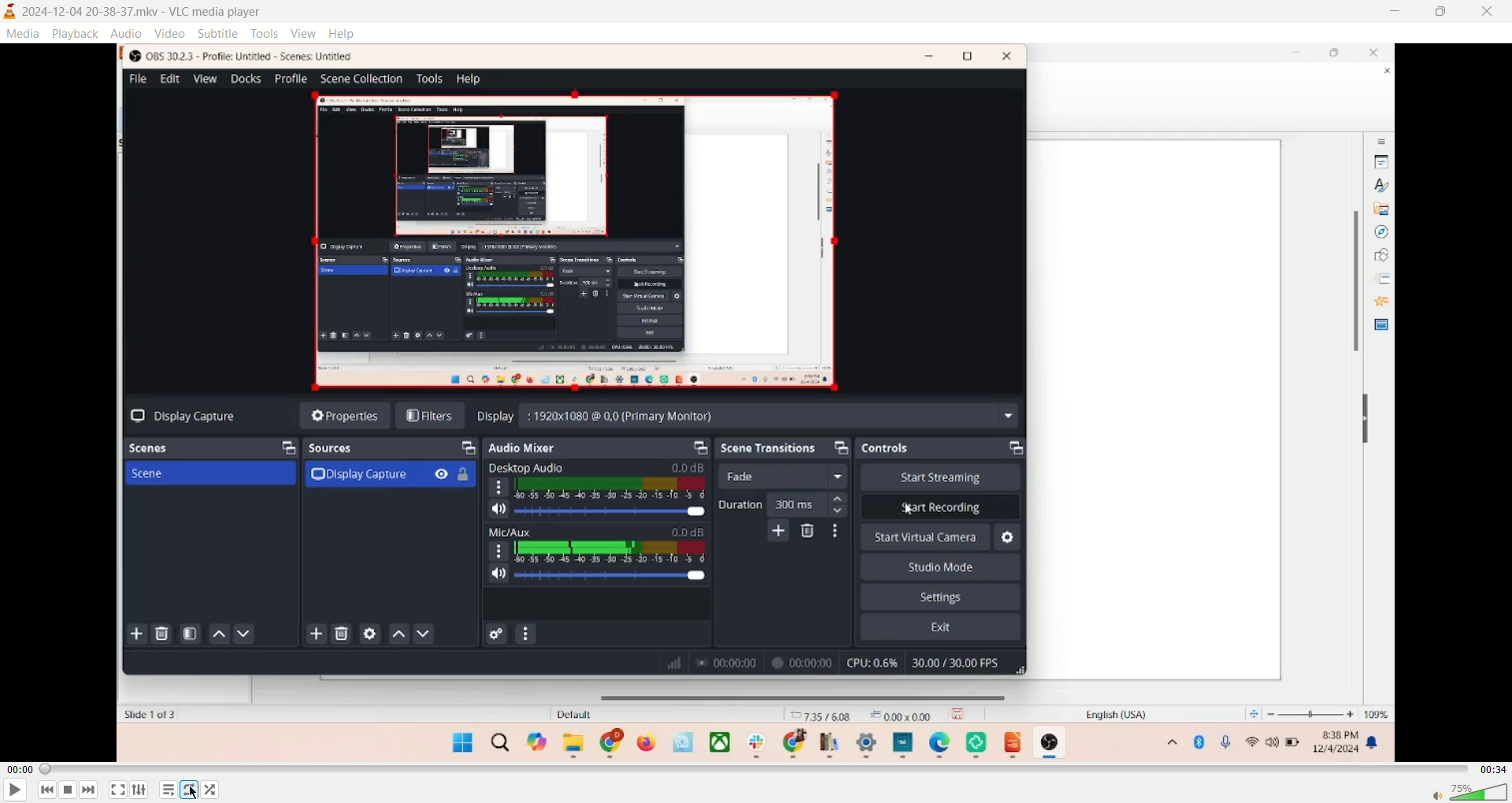 This screenshot has width=1512, height=803. What do you see at coordinates (145, 12) in the screenshot?
I see `2024-12-04 20-38-37.mkv - VLC media player` at bounding box center [145, 12].